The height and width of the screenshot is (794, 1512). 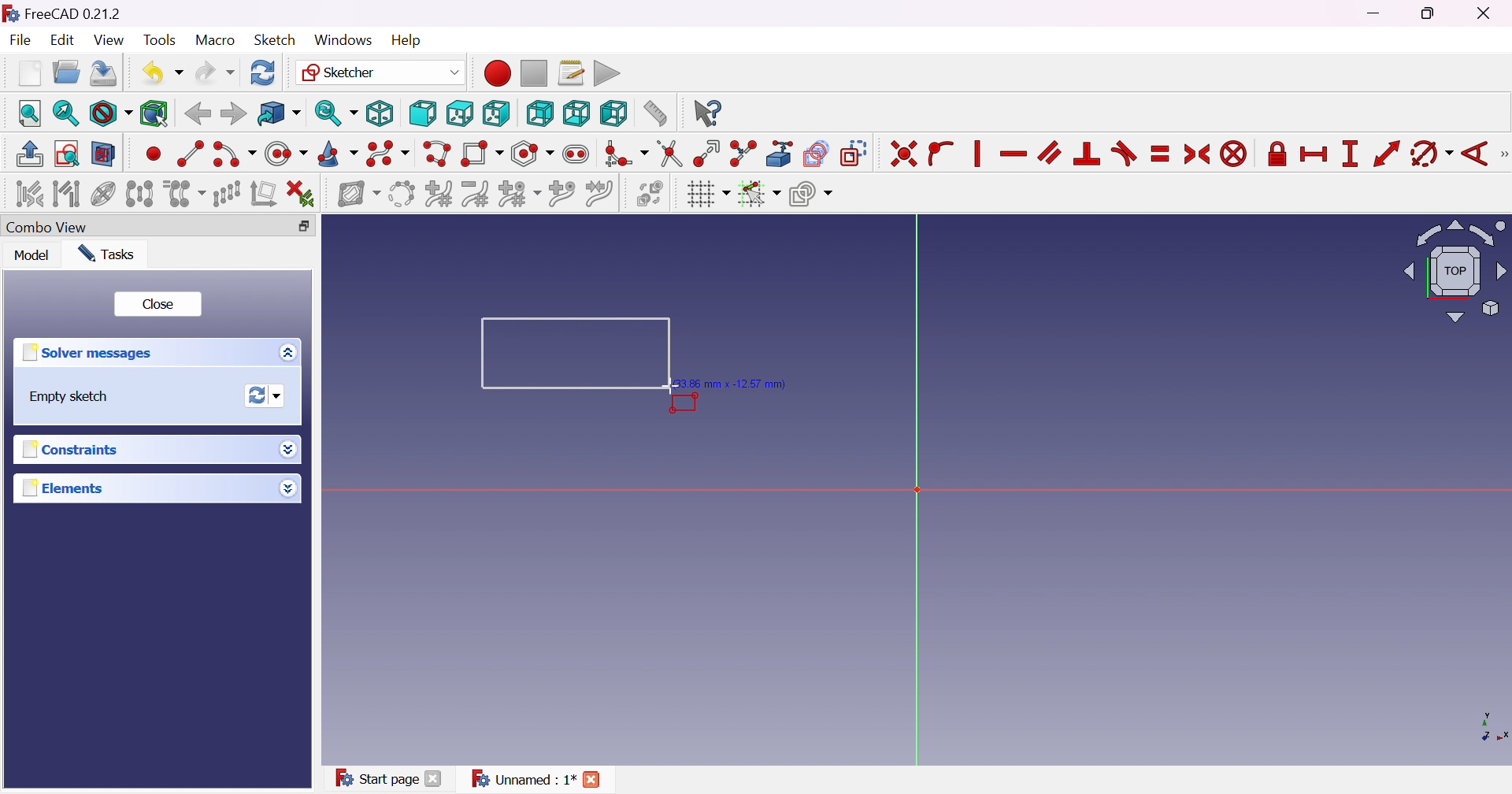 I want to click on Forces recomputation of active document, so click(x=269, y=395).